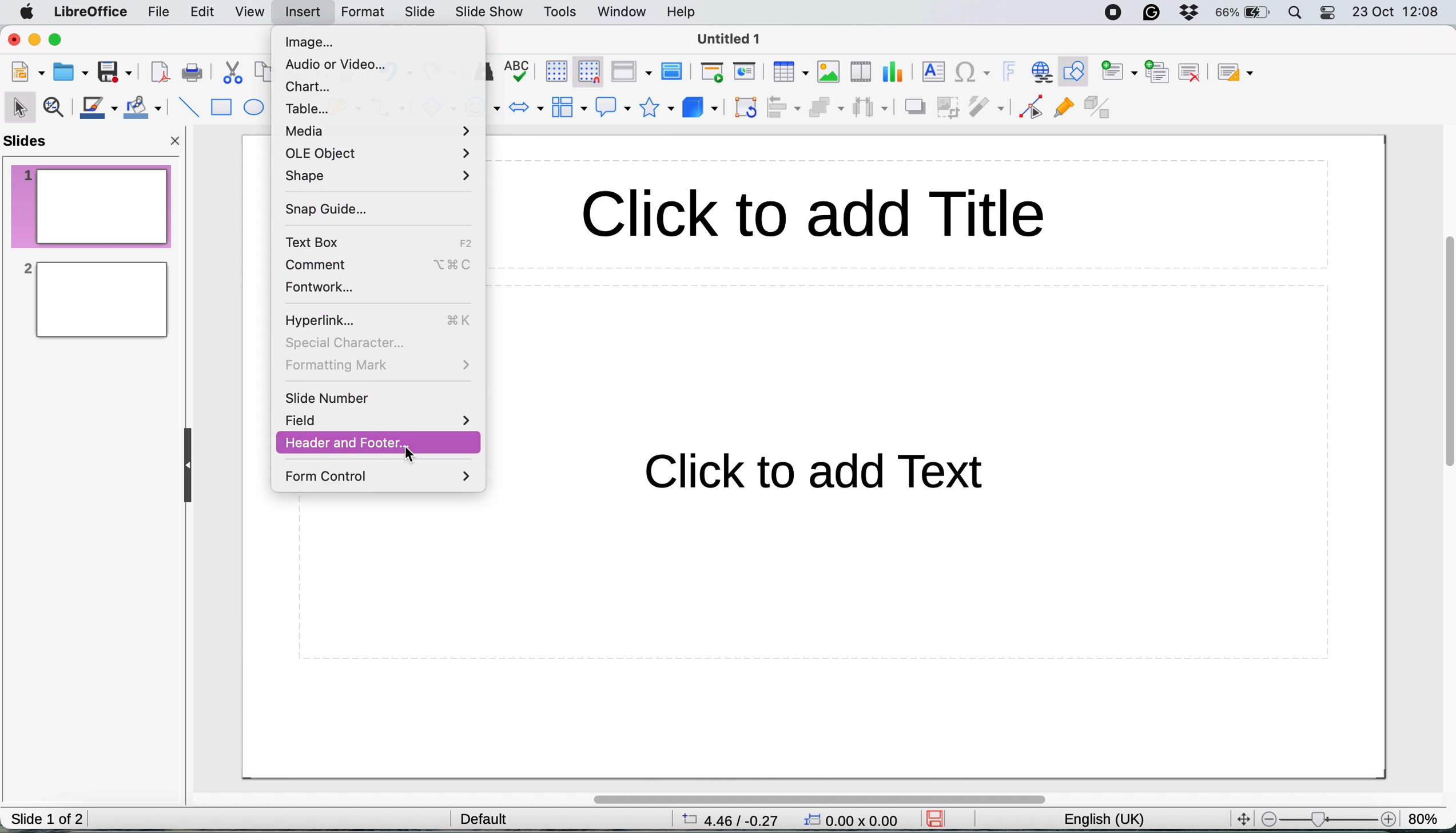 The height and width of the screenshot is (833, 1456). Describe the element at coordinates (1190, 14) in the screenshot. I see `dropbox` at that location.